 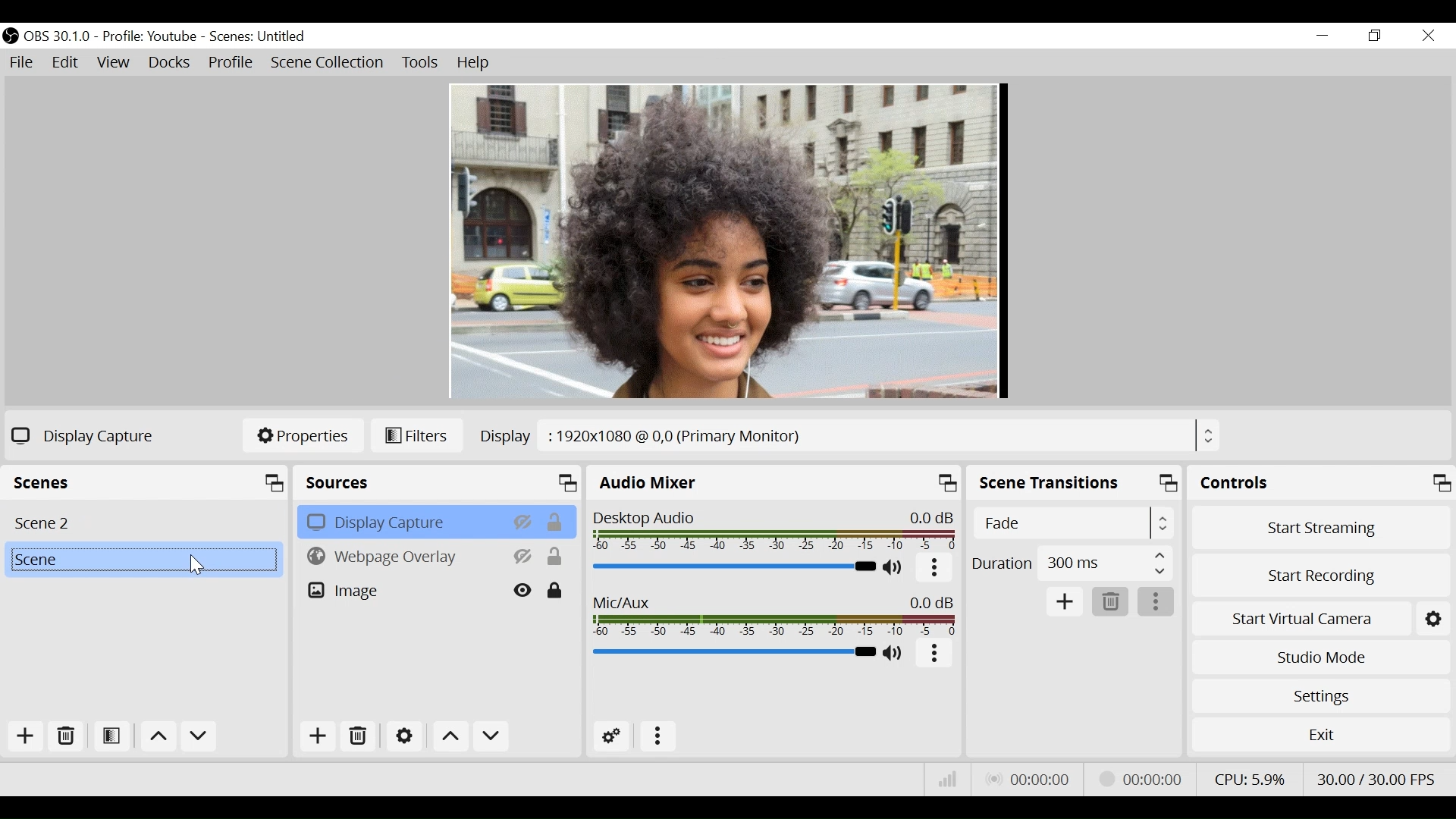 I want to click on Display Browser, so click(x=849, y=435).